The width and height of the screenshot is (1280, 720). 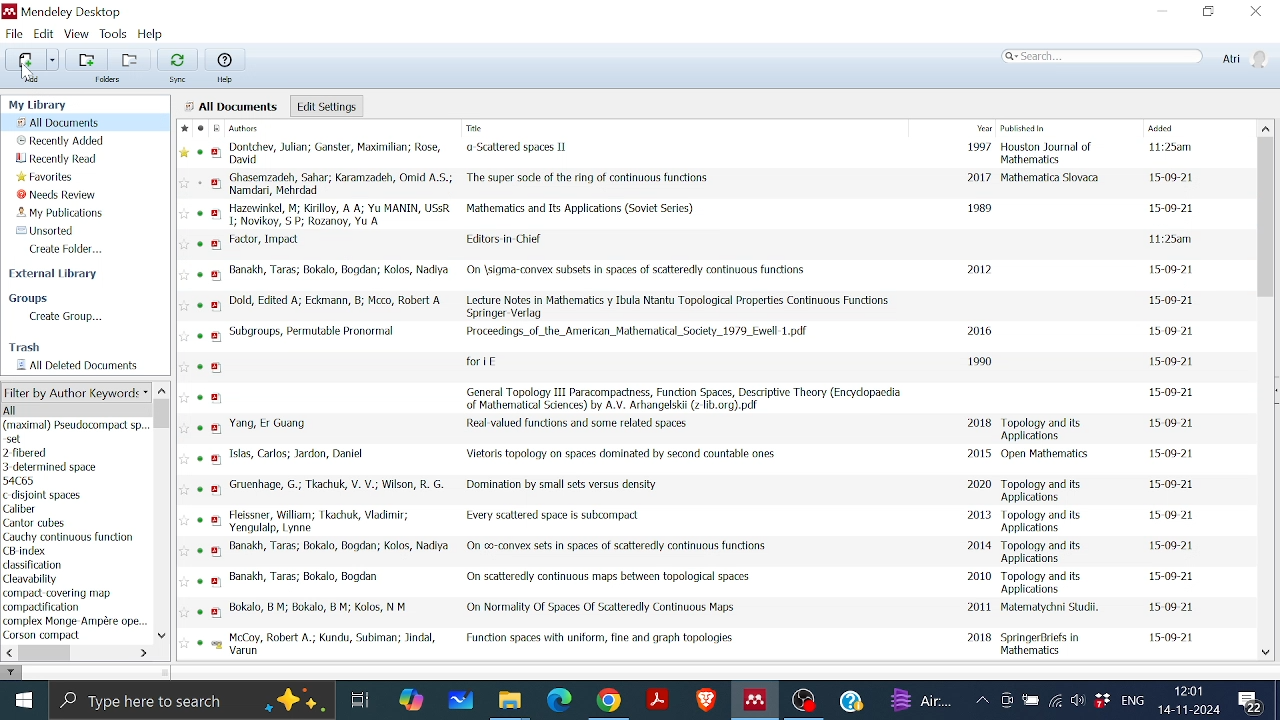 What do you see at coordinates (186, 521) in the screenshot?
I see `FAvourite` at bounding box center [186, 521].